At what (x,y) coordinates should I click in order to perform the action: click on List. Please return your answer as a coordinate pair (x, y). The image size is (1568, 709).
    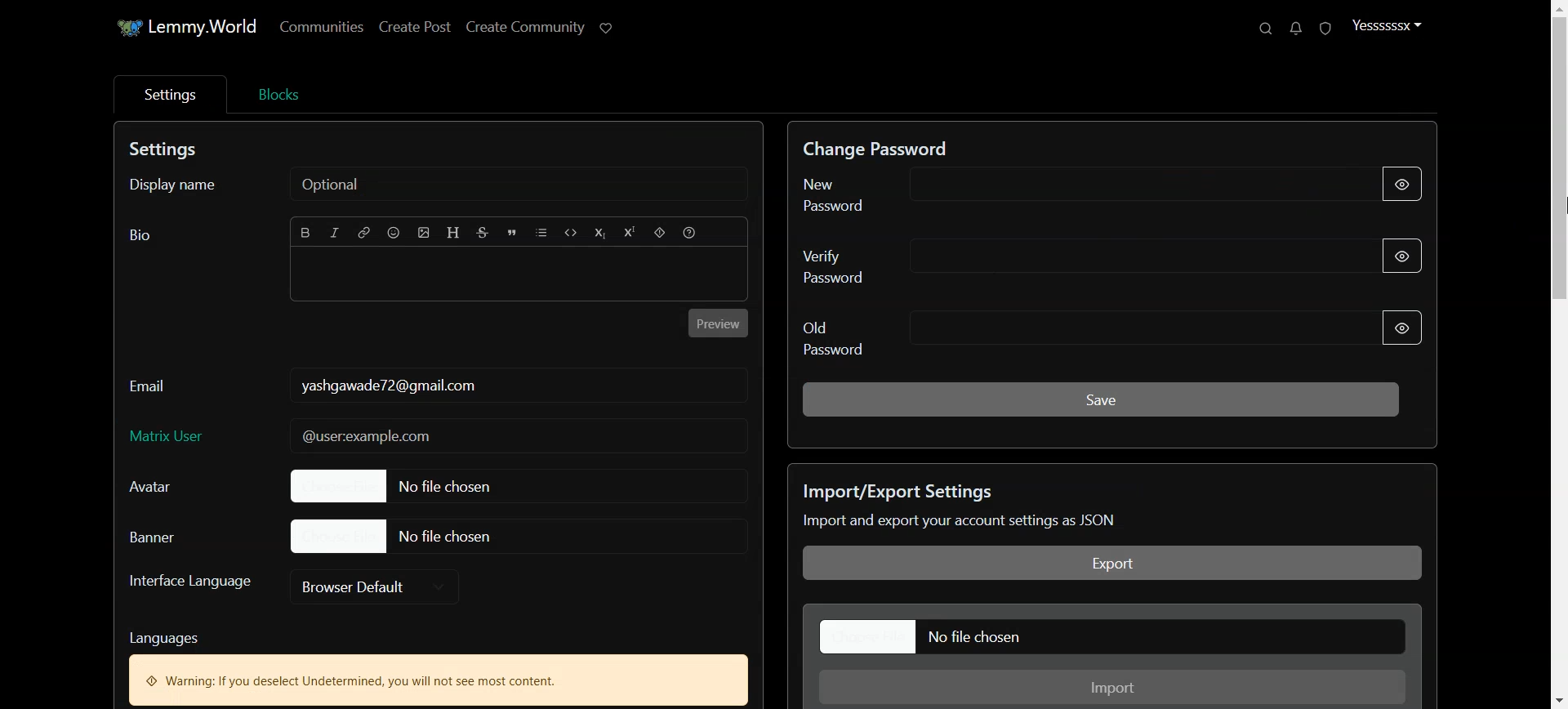
    Looking at the image, I should click on (541, 232).